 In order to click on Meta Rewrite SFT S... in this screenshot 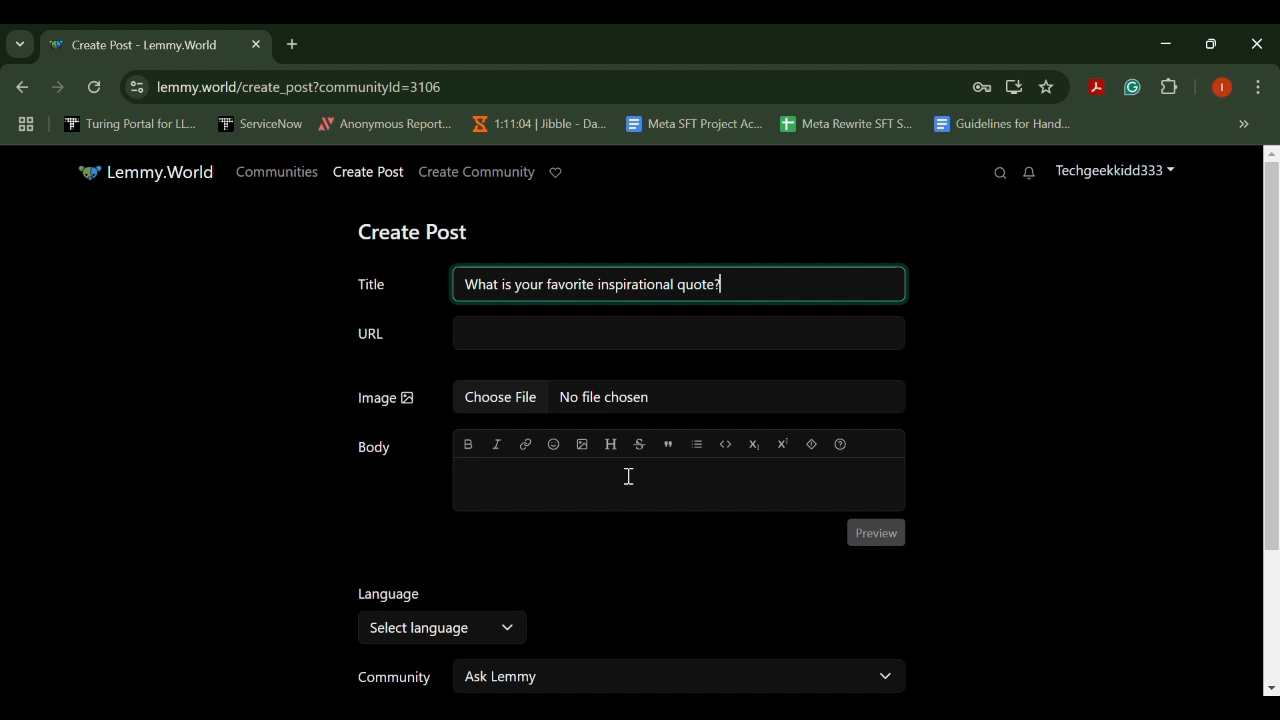, I will do `click(847, 125)`.